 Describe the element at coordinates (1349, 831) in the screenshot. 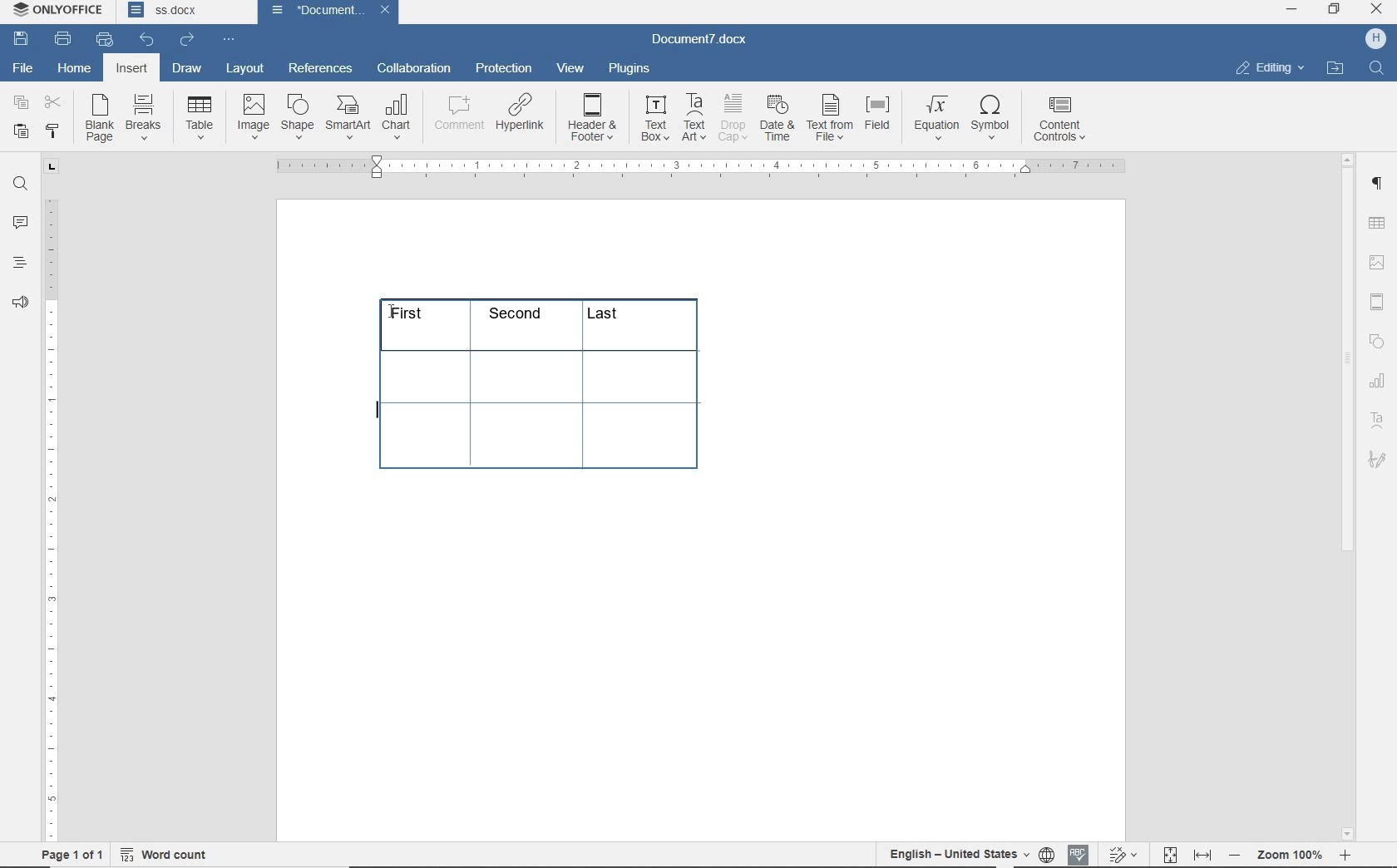

I see `scroll down` at that location.